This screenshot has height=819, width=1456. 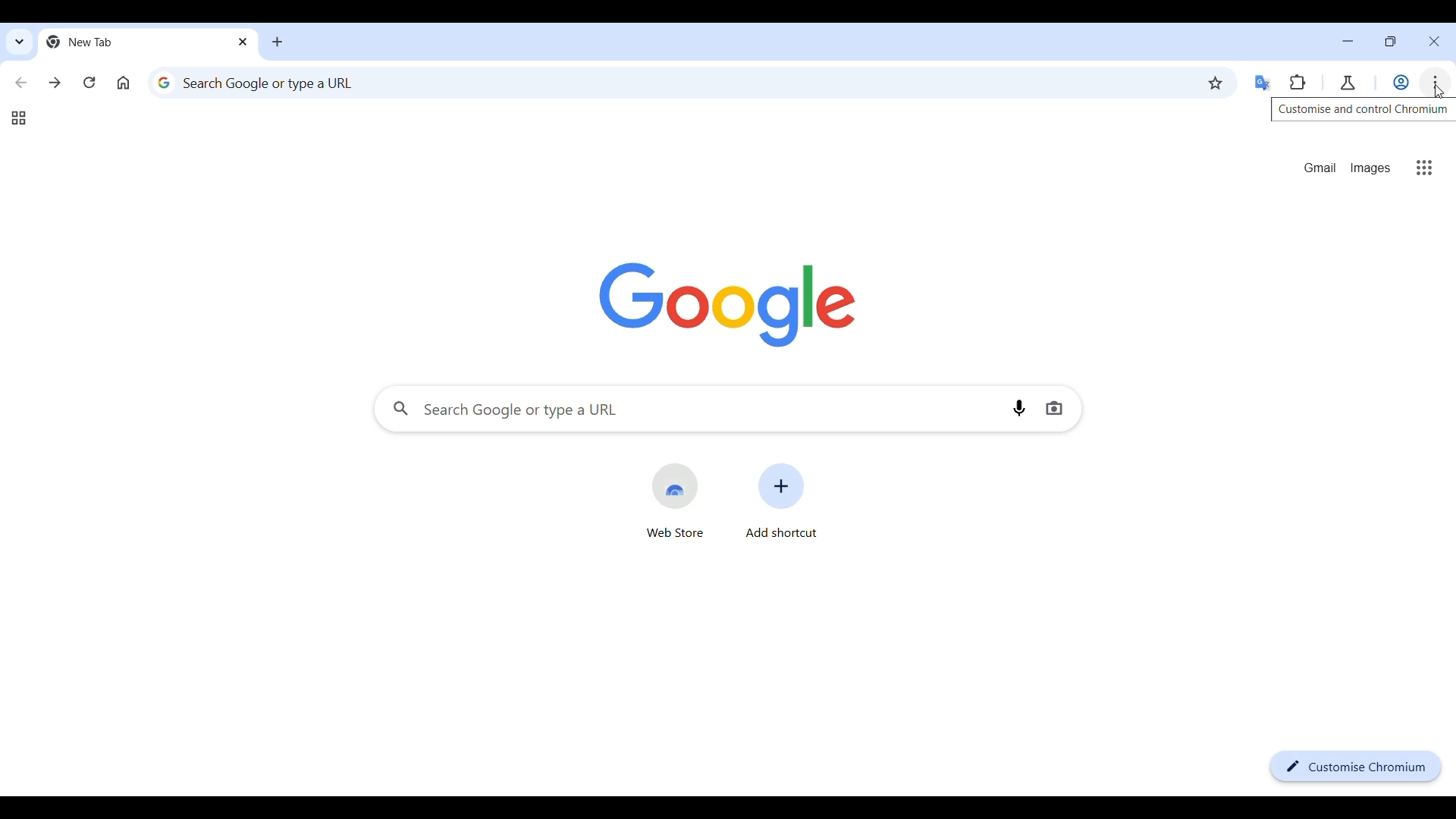 I want to click on Go forward, so click(x=55, y=83).